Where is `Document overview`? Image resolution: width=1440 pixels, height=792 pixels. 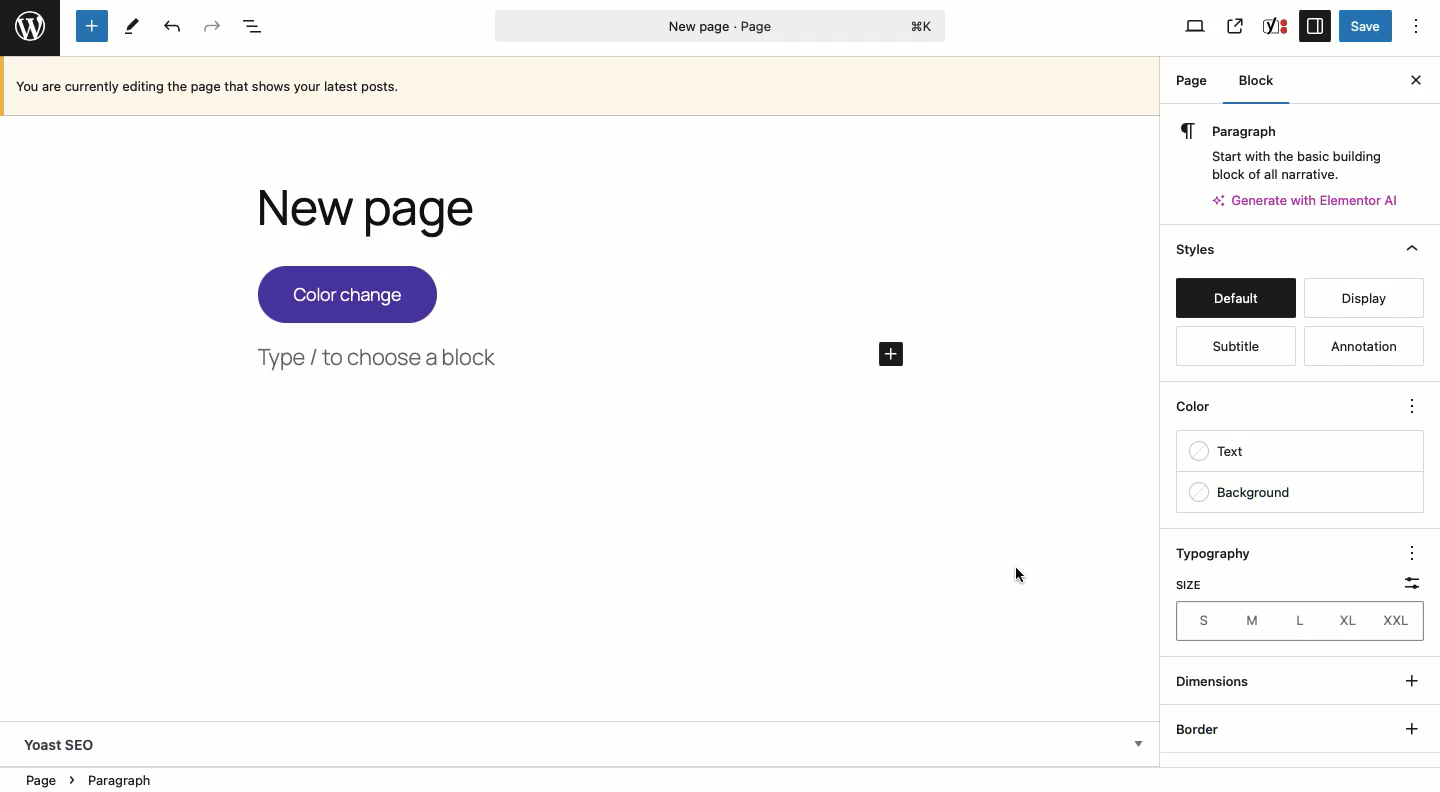 Document overview is located at coordinates (256, 28).